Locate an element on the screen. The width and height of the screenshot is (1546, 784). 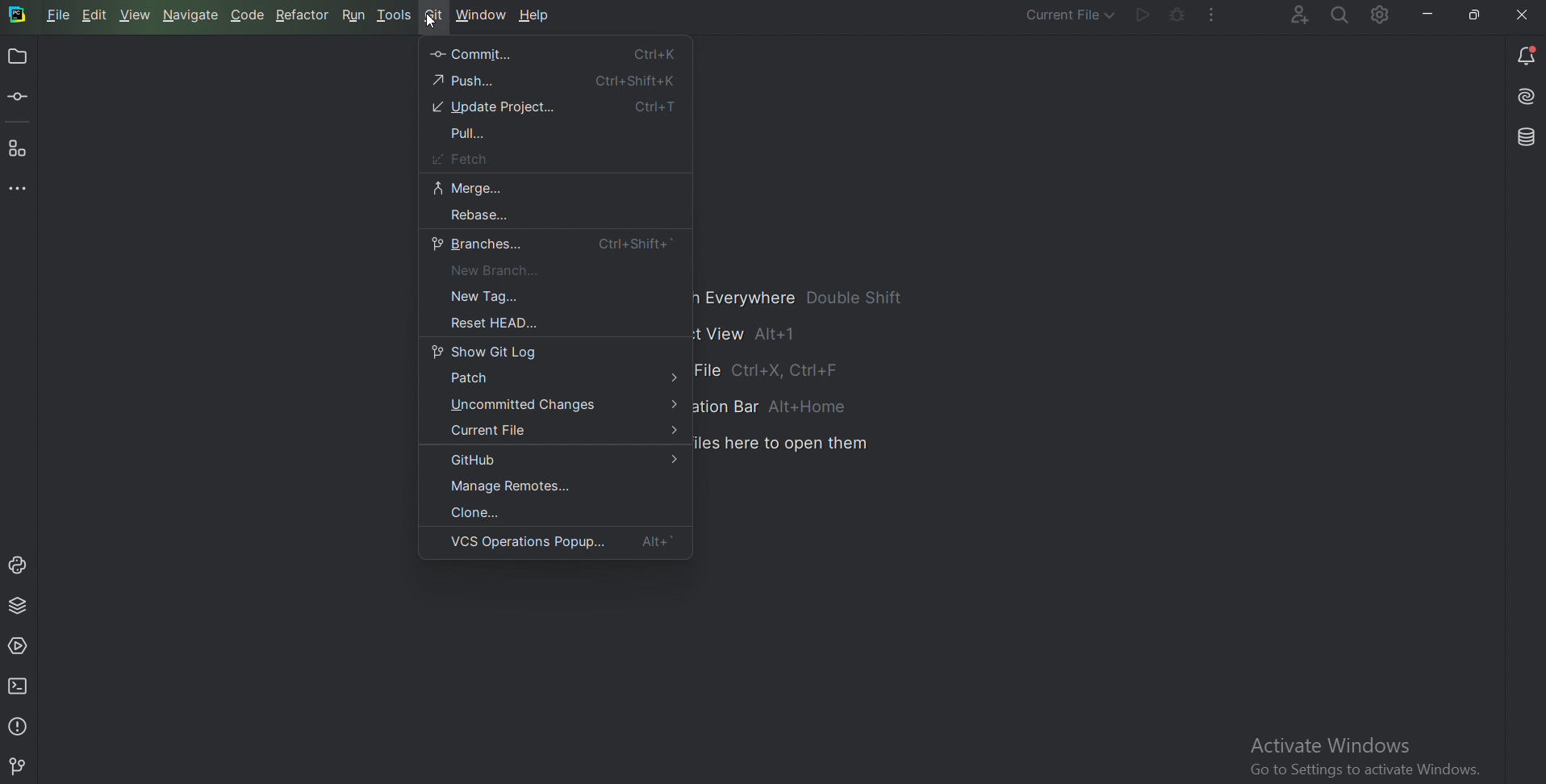
Fetch is located at coordinates (459, 159).